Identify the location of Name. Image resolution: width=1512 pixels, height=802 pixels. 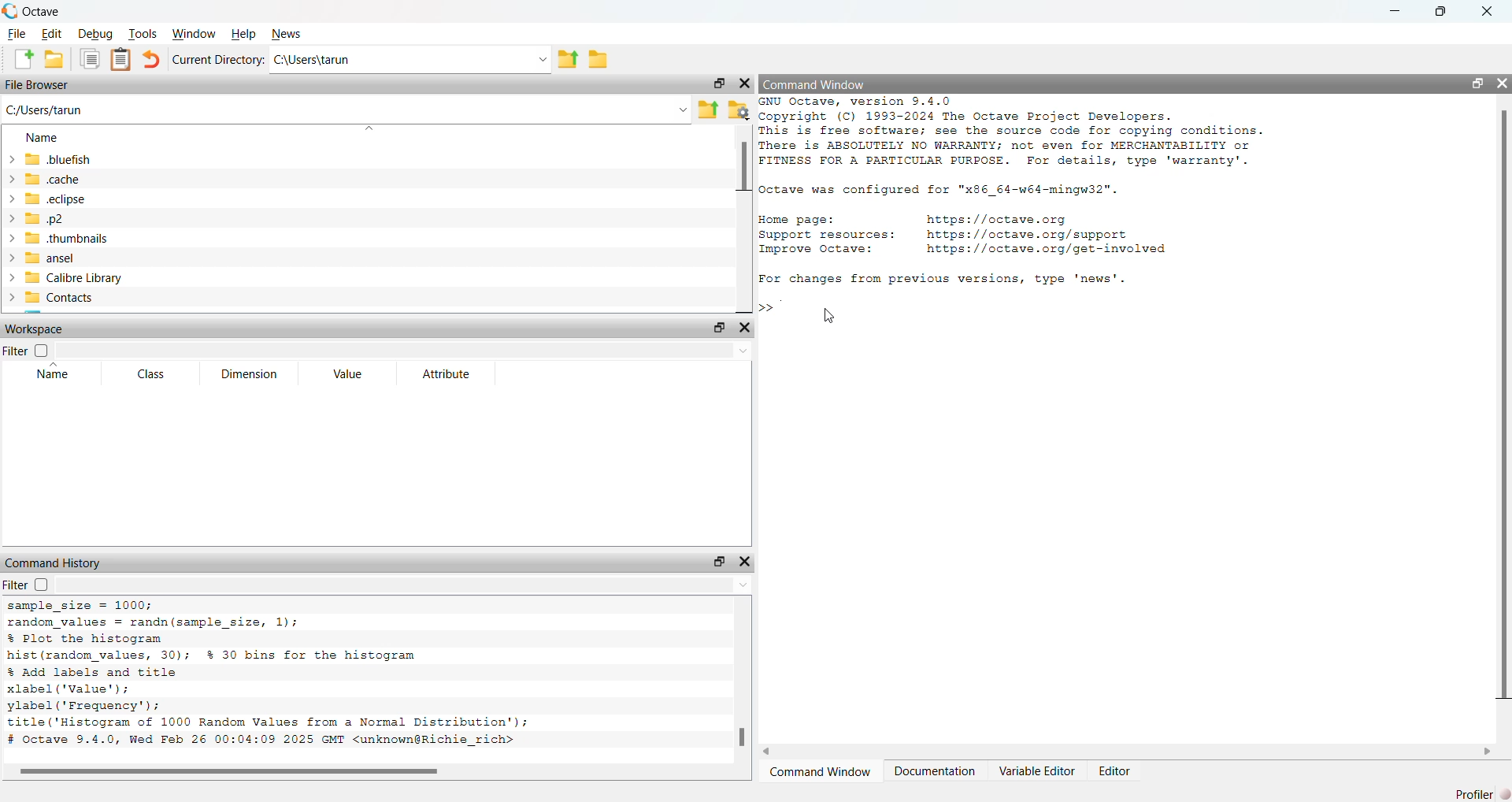
(41, 138).